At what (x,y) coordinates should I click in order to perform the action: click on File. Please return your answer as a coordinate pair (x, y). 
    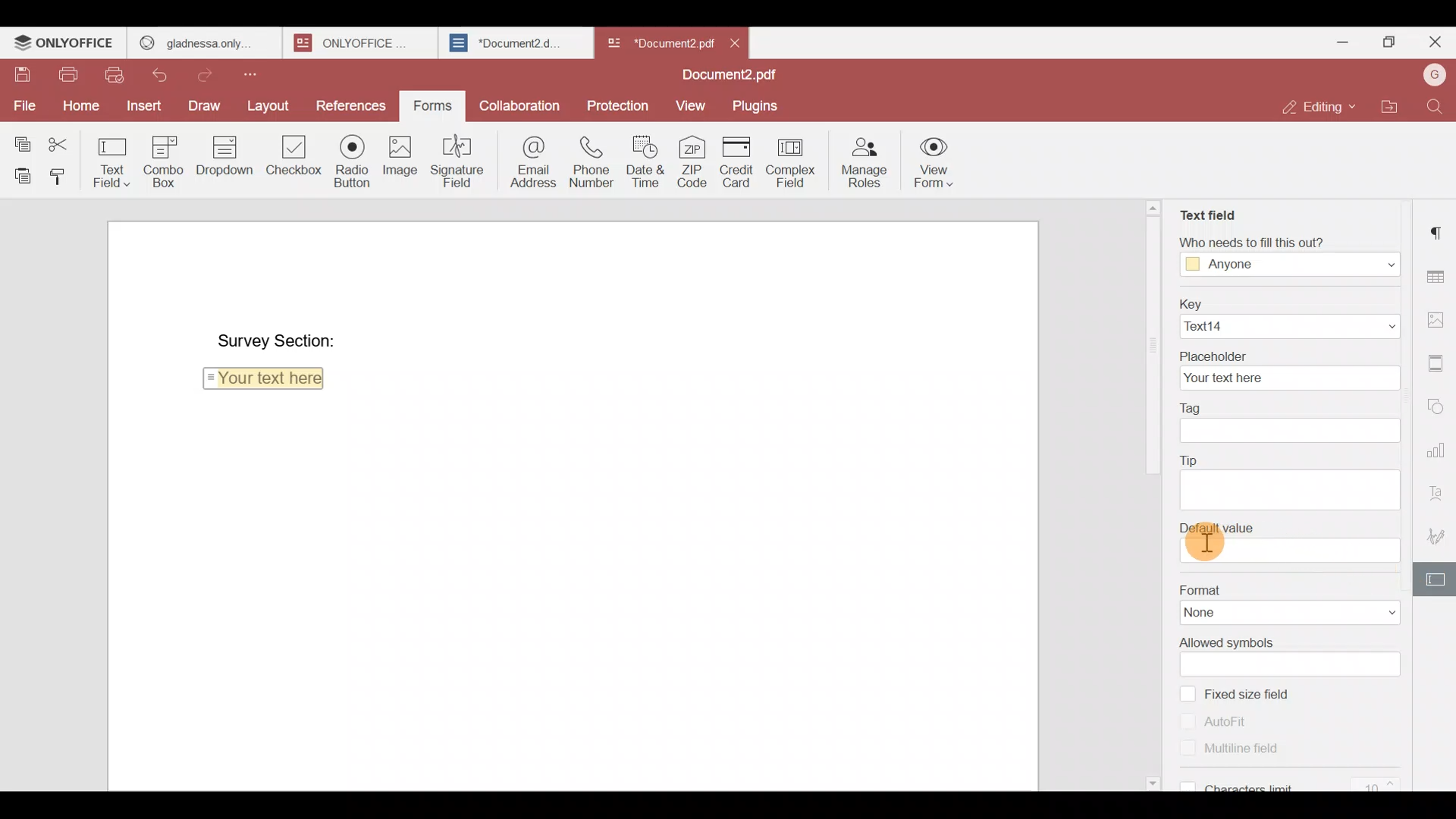
    Looking at the image, I should click on (24, 105).